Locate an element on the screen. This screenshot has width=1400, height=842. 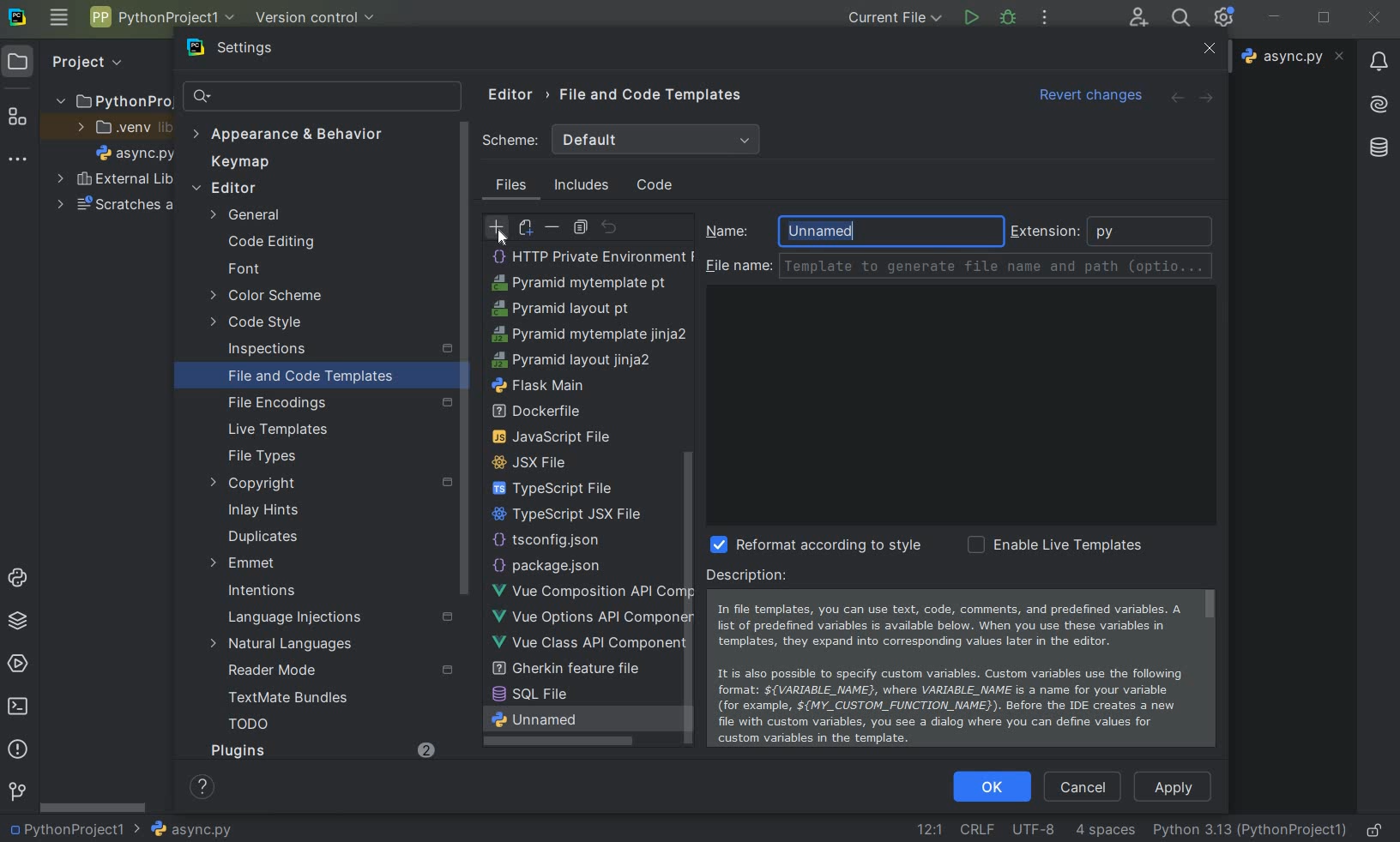
.venv is located at coordinates (124, 128).